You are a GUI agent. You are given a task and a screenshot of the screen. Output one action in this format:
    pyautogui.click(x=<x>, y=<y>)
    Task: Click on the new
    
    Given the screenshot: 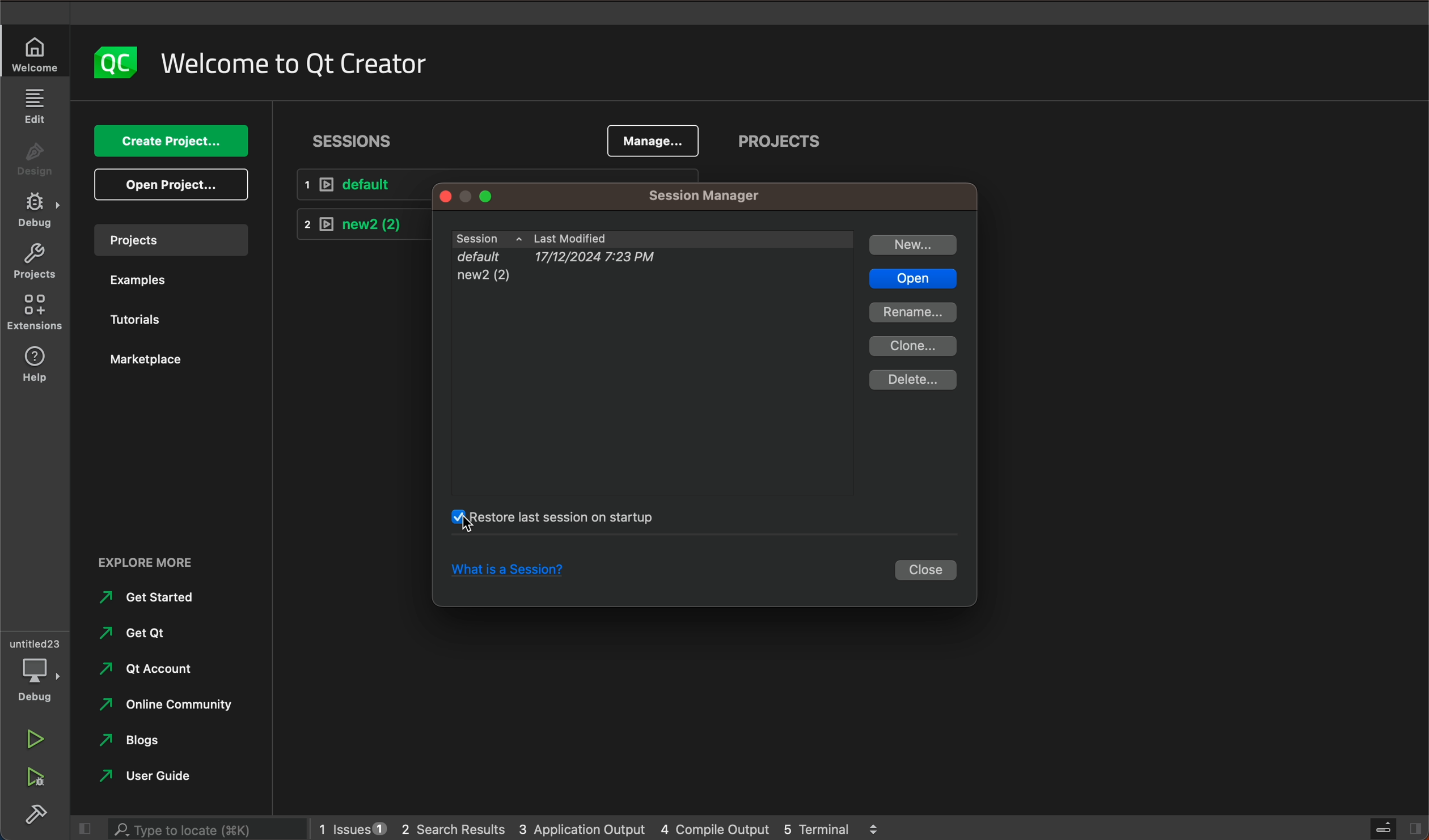 What is the action you would take?
    pyautogui.click(x=915, y=244)
    